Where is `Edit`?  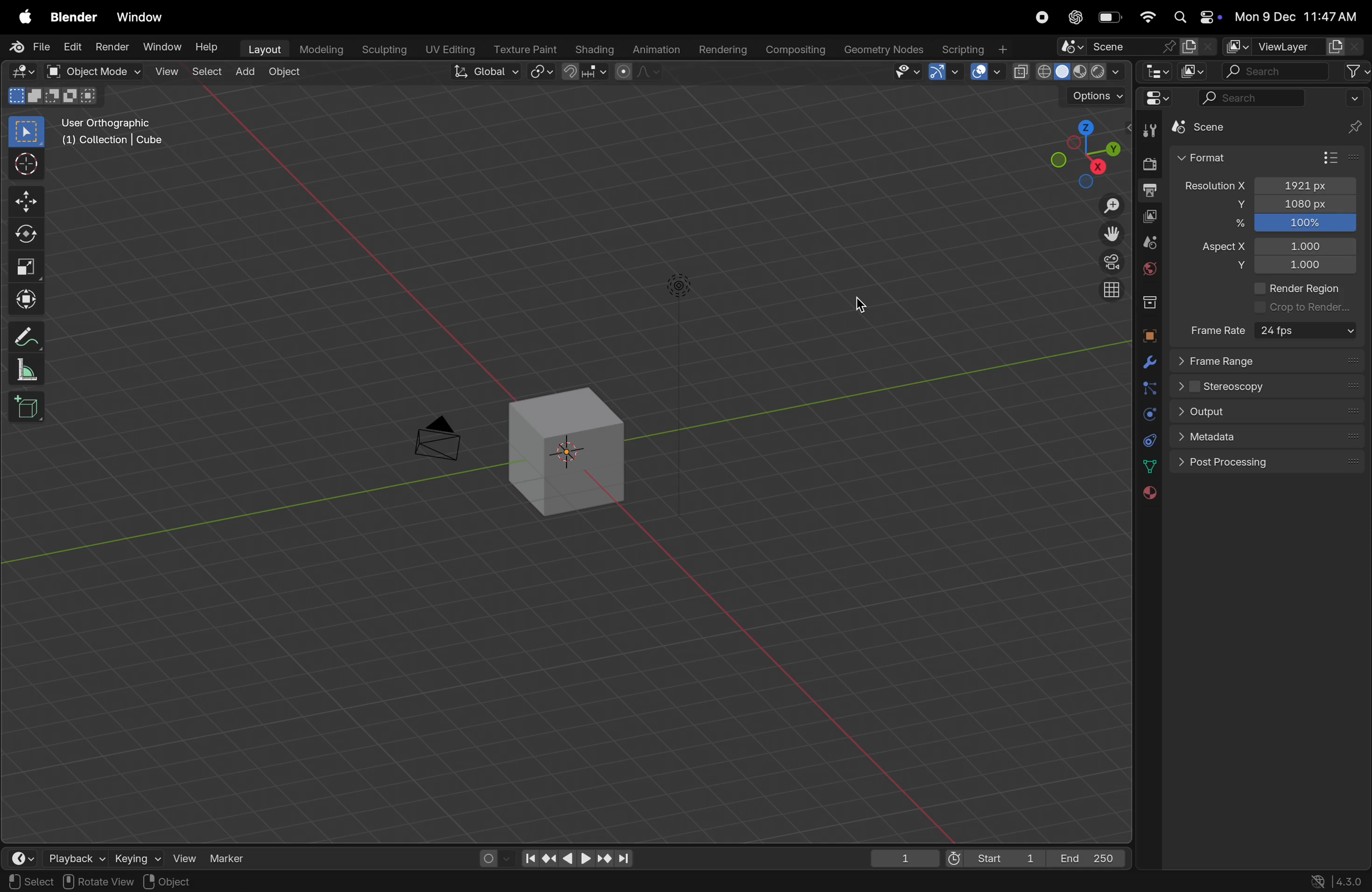
Edit is located at coordinates (74, 46).